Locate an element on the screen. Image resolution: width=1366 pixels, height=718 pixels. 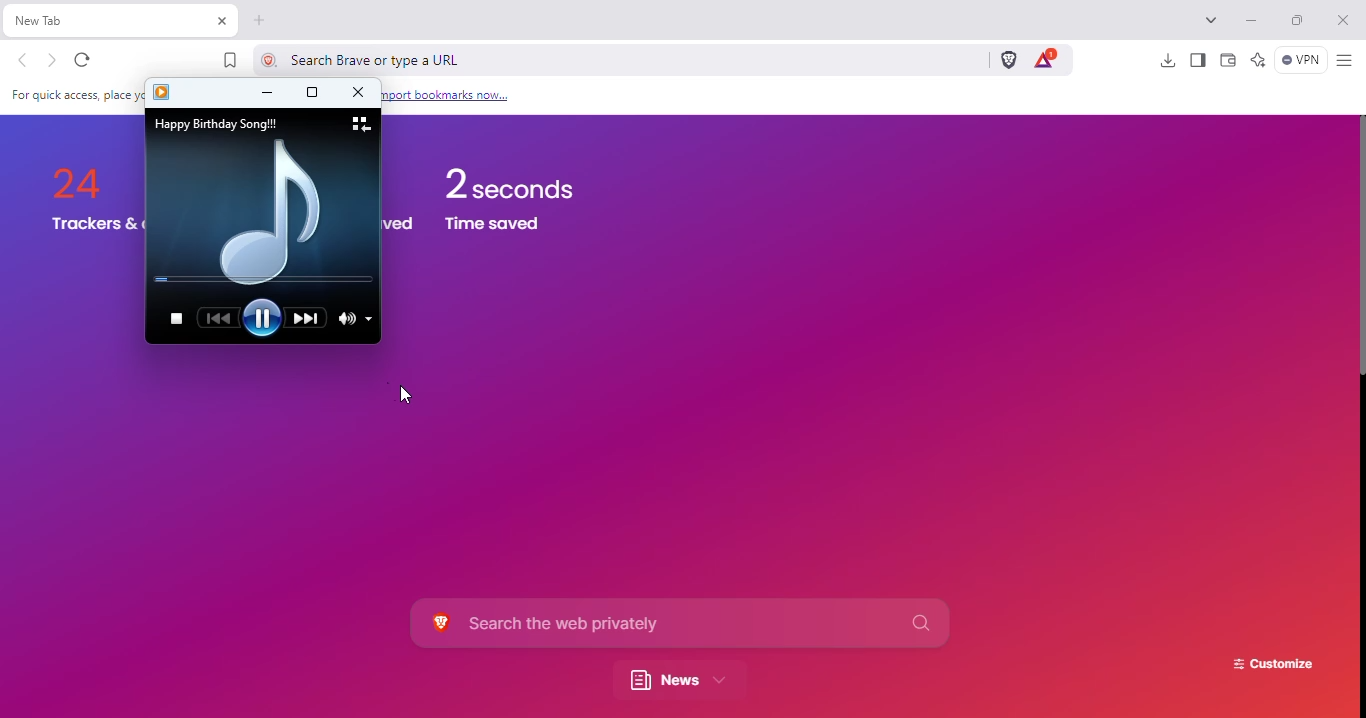
cursor is located at coordinates (406, 395).